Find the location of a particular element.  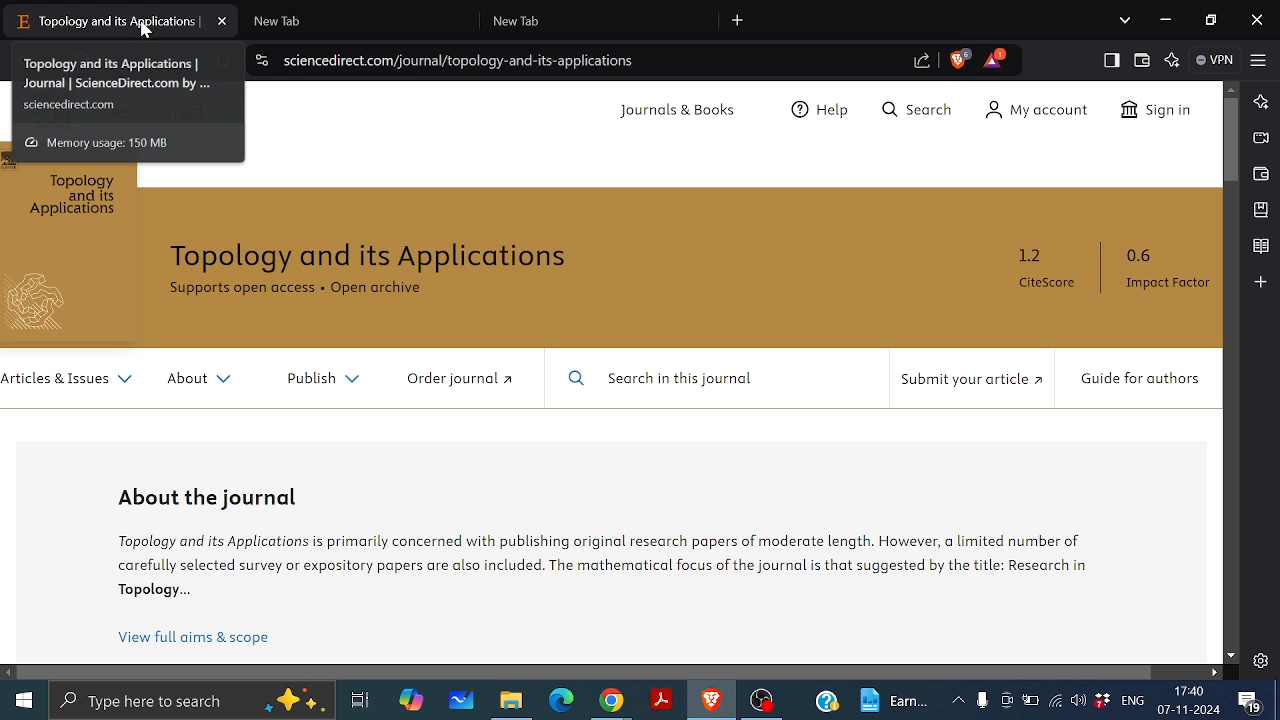

Q search is located at coordinates (923, 111).